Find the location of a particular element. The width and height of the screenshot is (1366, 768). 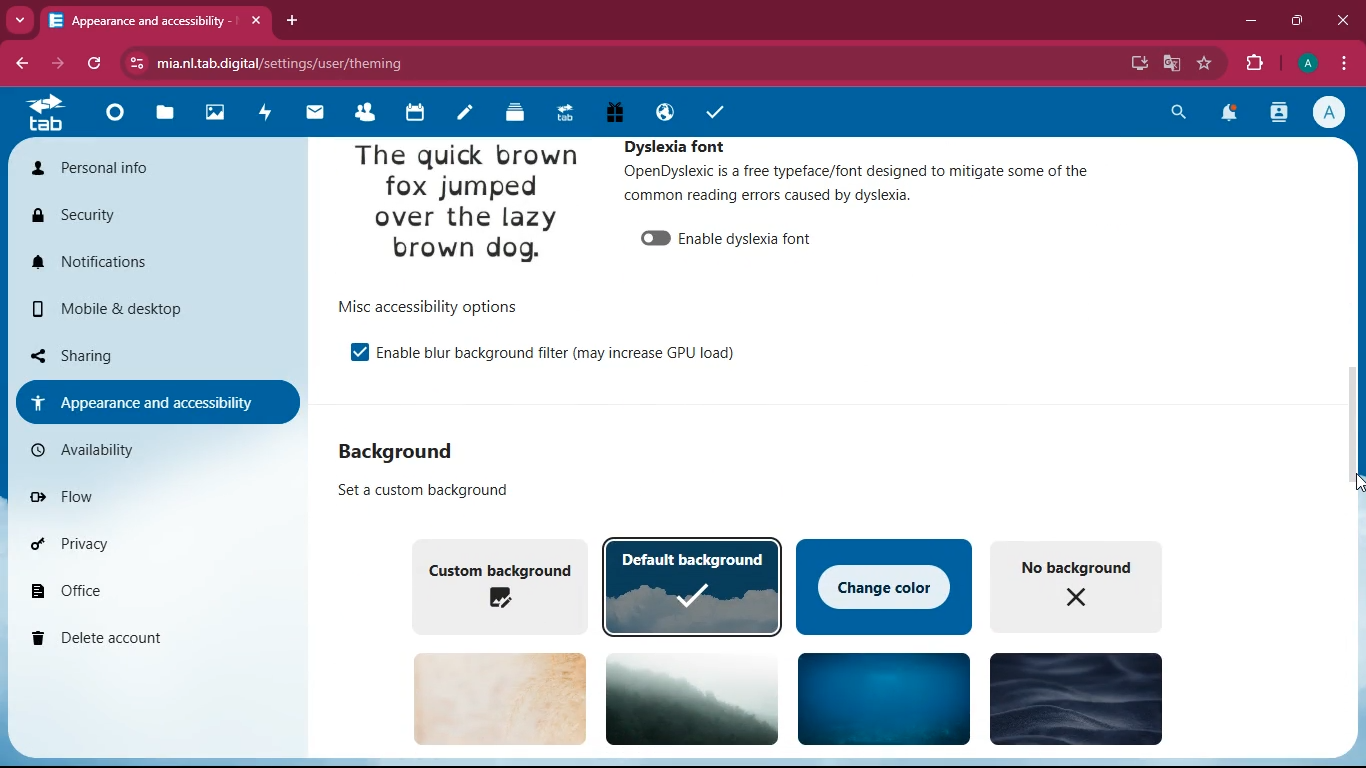

more accessibility is located at coordinates (155, 401).